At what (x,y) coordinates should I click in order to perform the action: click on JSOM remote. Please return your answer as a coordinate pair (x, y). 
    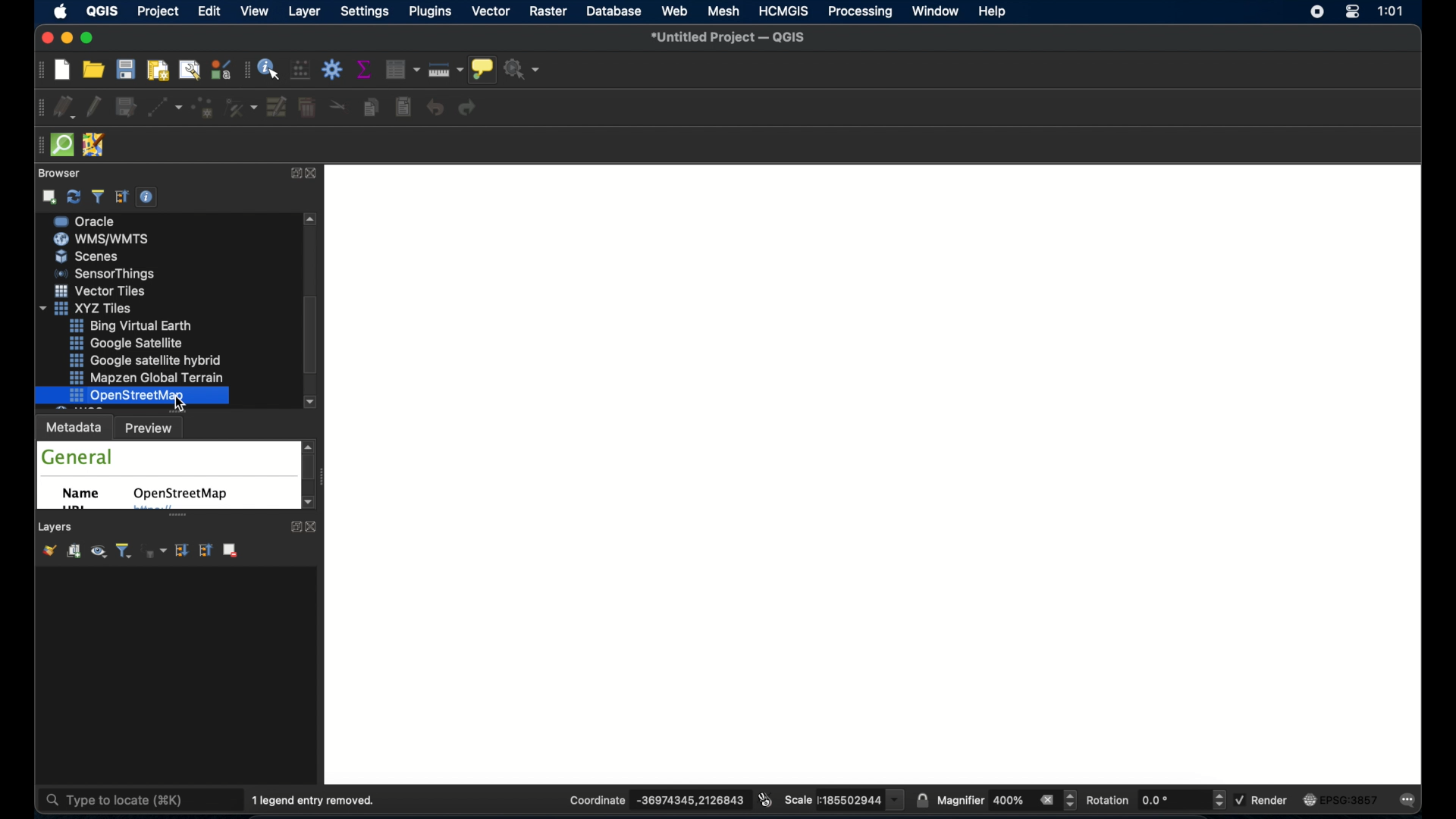
    Looking at the image, I should click on (95, 146).